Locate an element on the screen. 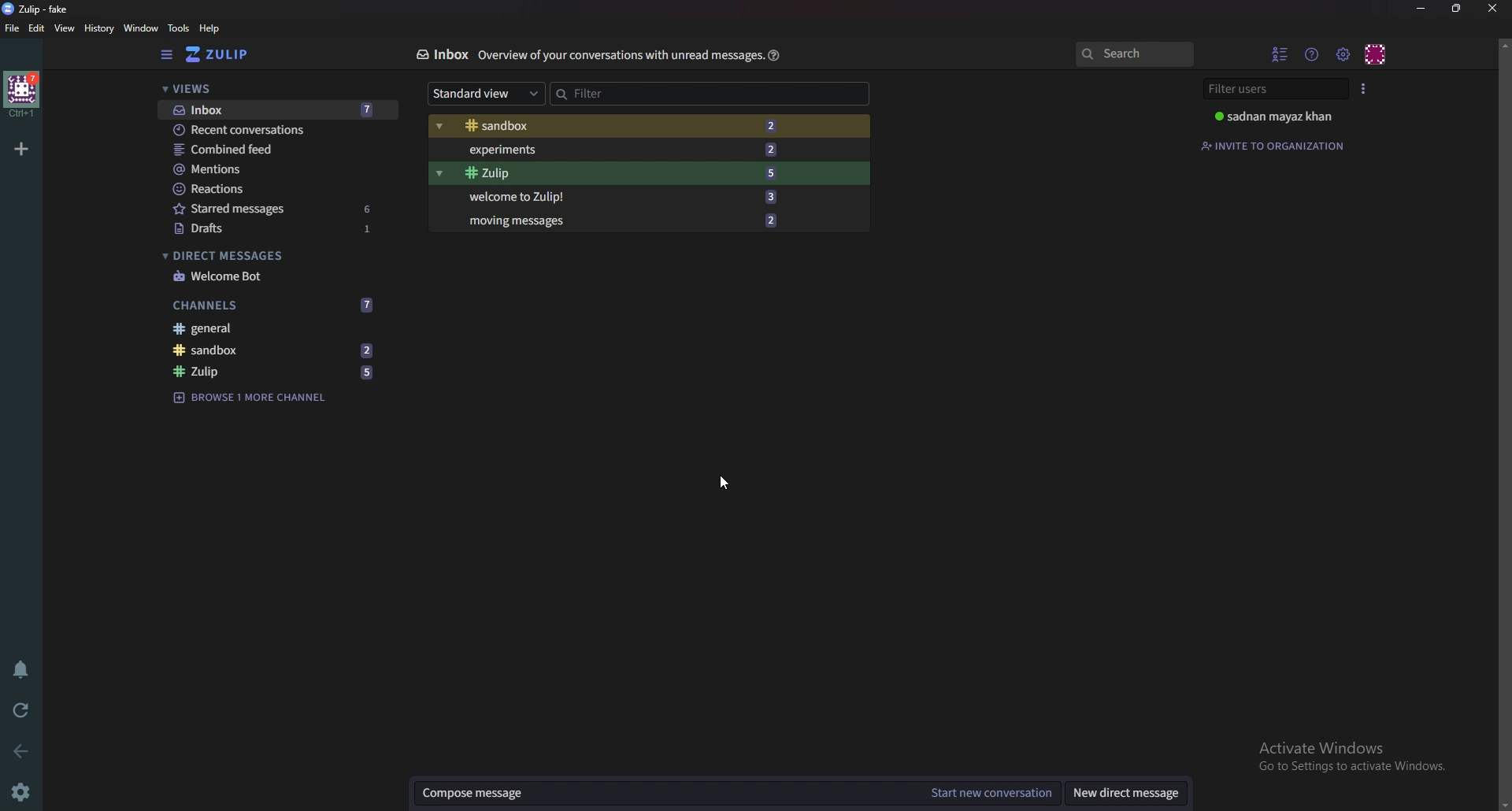 The width and height of the screenshot is (1512, 811). direct messages is located at coordinates (276, 254).